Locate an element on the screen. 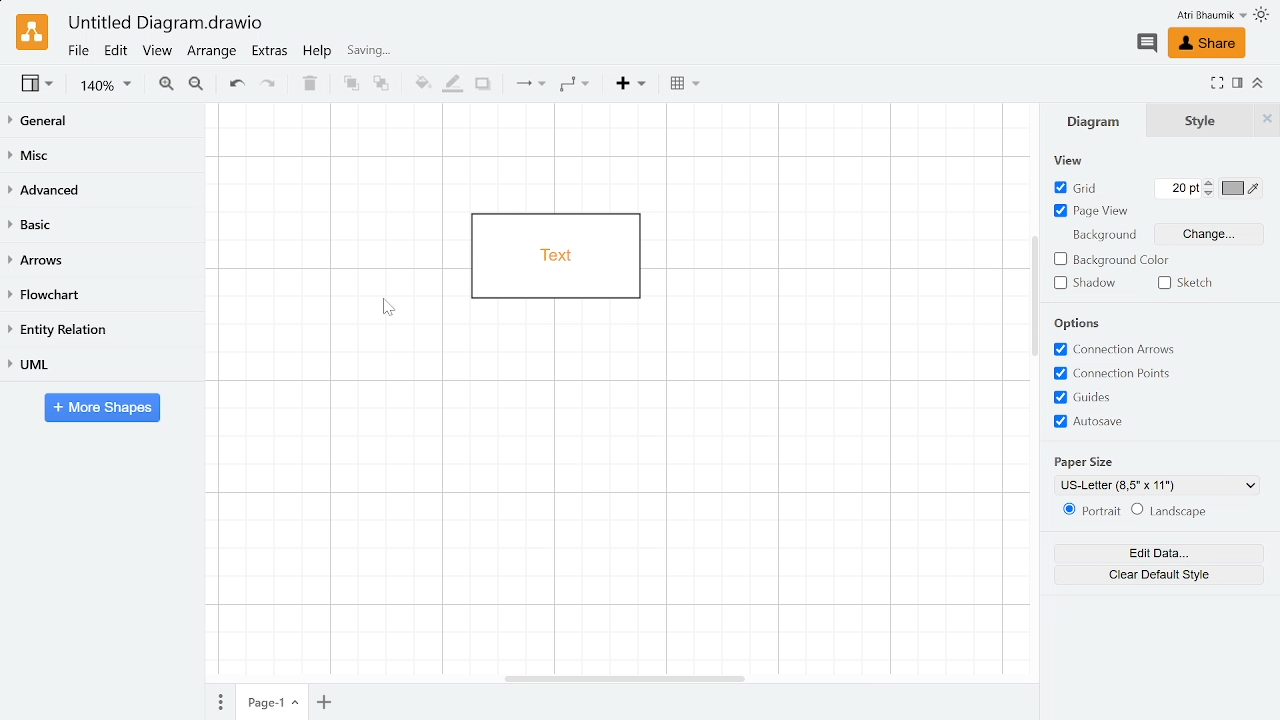  UML is located at coordinates (102, 363).